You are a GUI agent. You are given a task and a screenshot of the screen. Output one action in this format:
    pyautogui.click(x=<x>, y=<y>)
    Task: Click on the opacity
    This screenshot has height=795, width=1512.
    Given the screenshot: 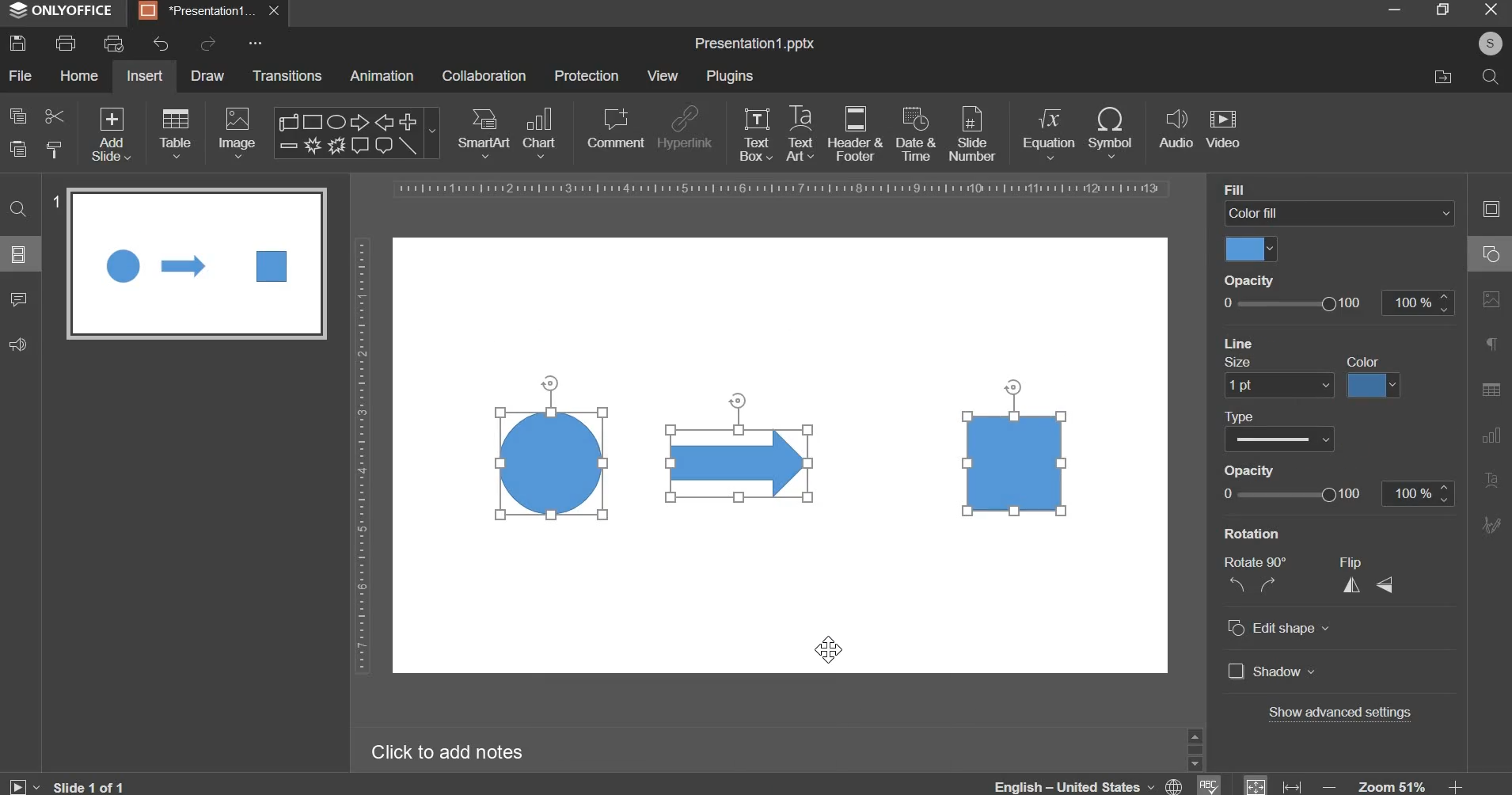 What is the action you would take?
    pyautogui.click(x=1335, y=302)
    